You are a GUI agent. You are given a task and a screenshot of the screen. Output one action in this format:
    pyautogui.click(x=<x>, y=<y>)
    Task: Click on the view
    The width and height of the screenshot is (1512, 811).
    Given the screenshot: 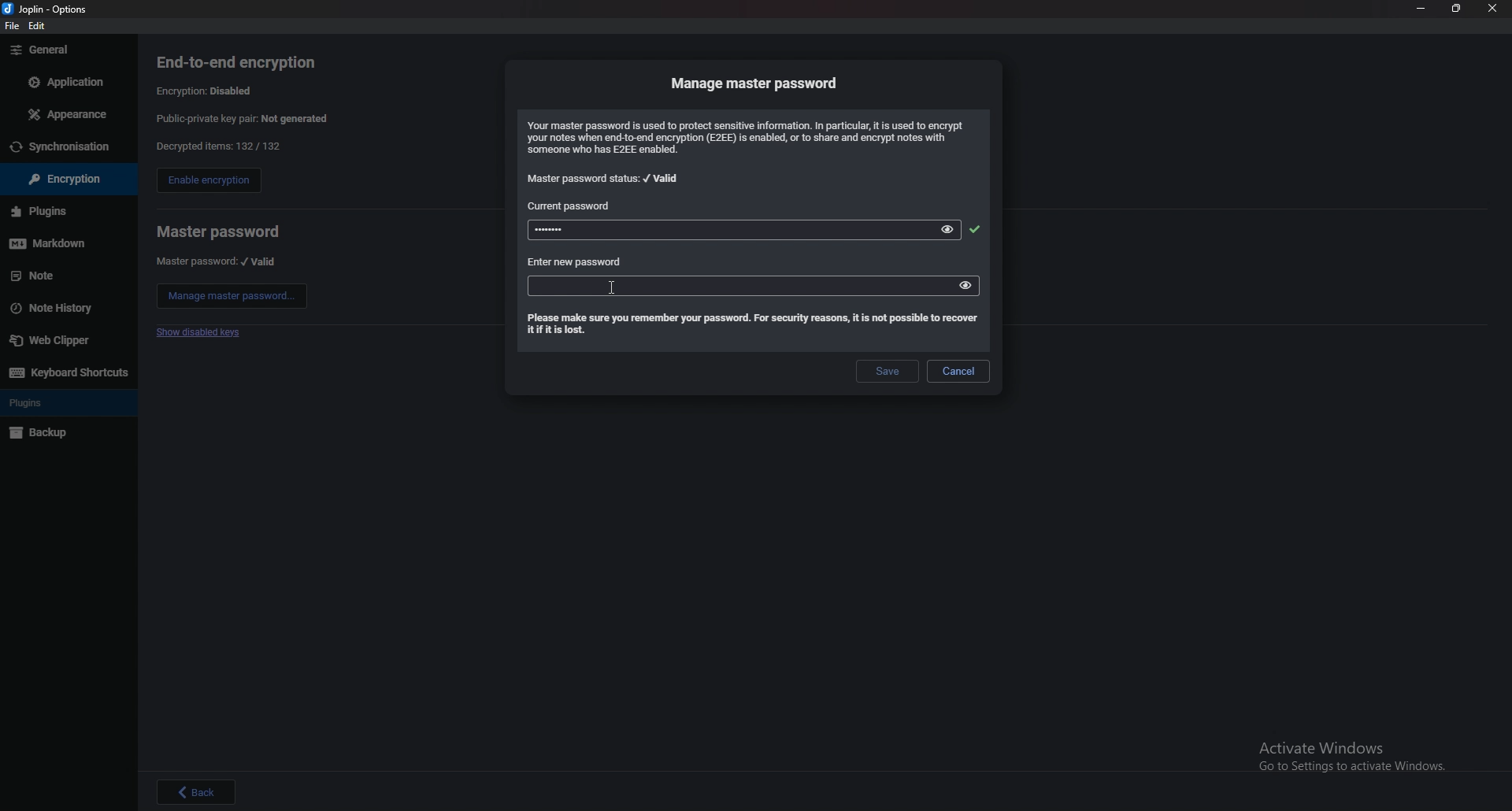 What is the action you would take?
    pyautogui.click(x=949, y=229)
    